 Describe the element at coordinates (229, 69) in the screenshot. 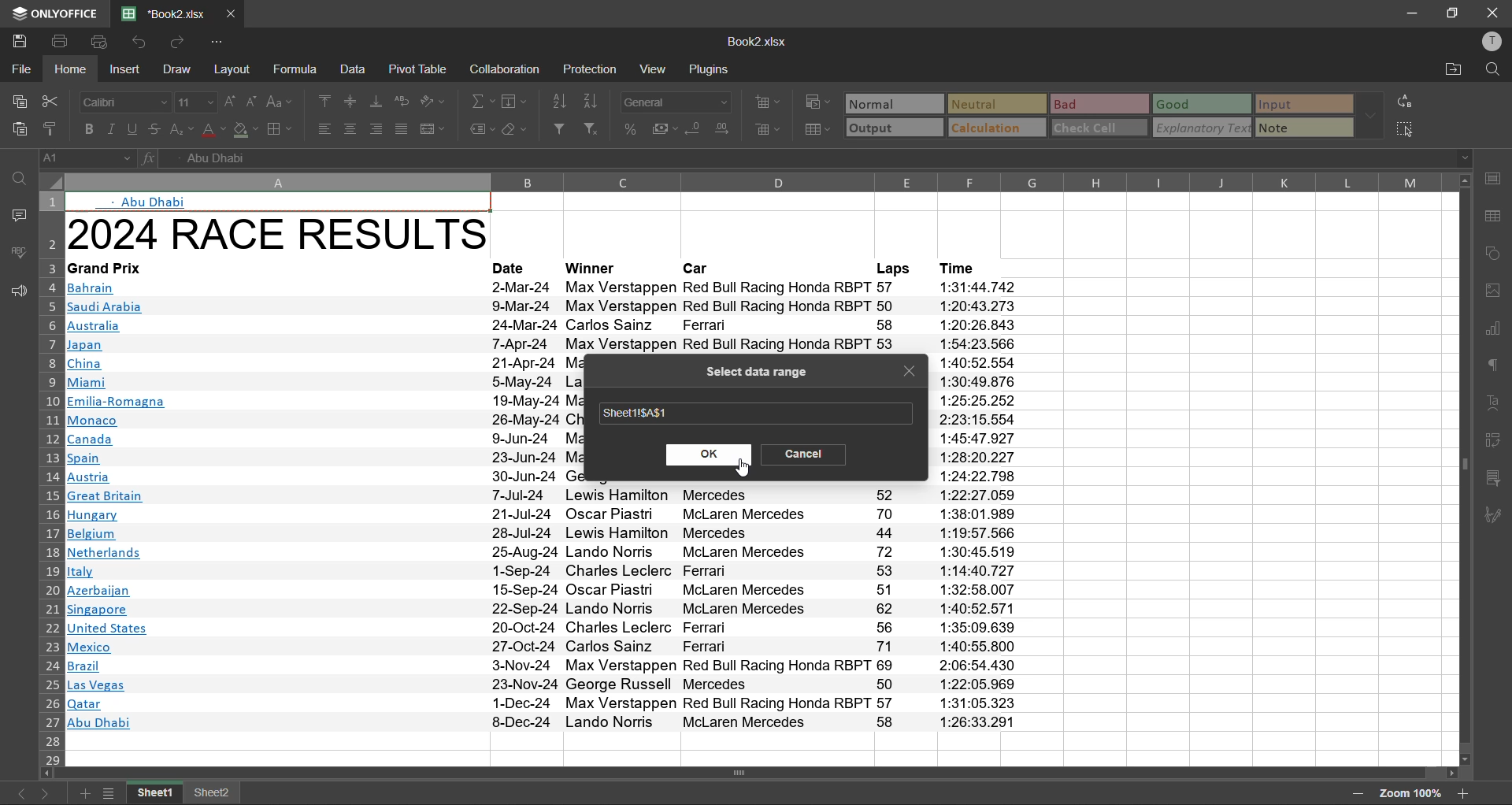

I see `layout` at that location.